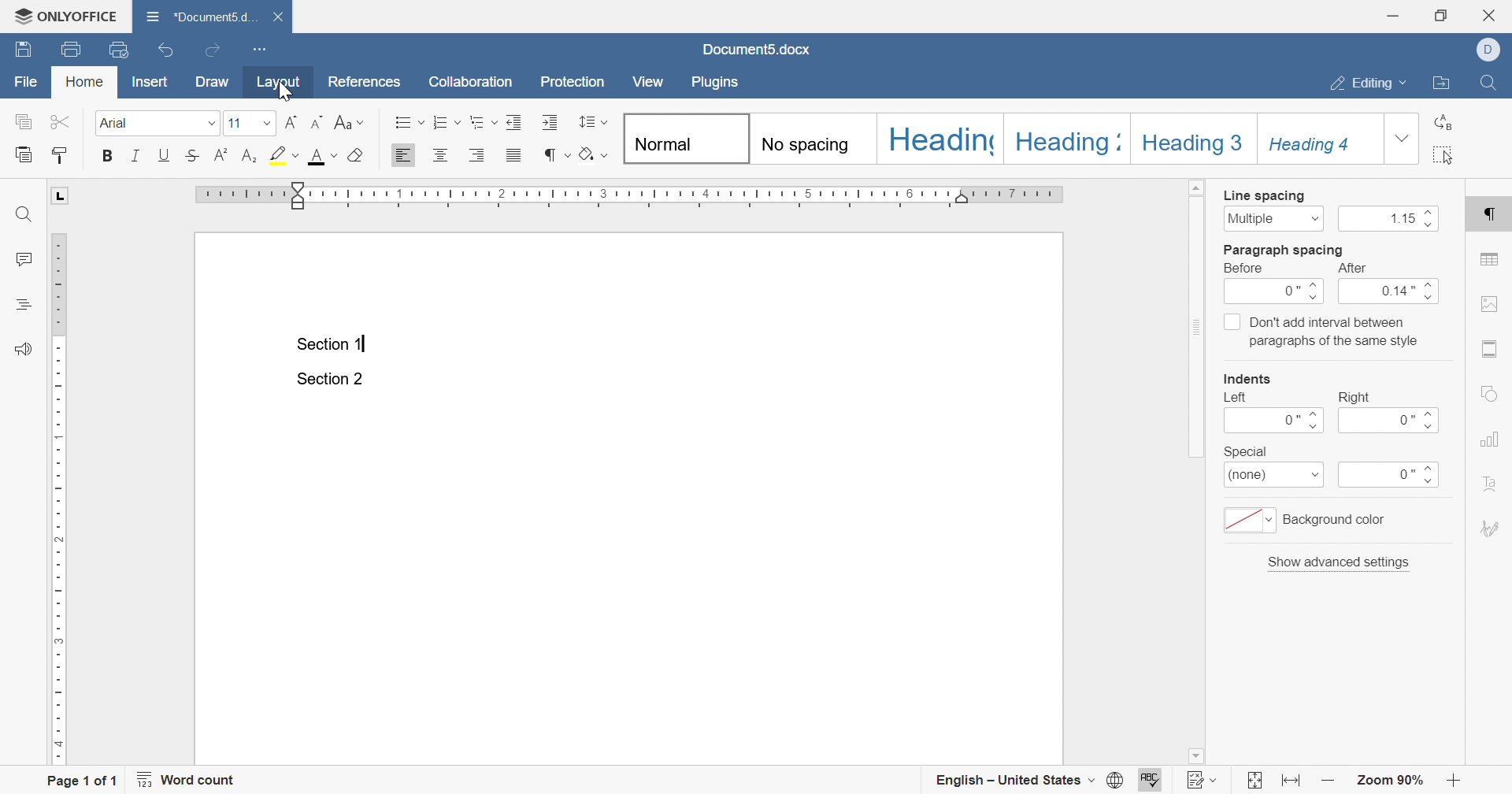  I want to click on indents, so click(1250, 379).